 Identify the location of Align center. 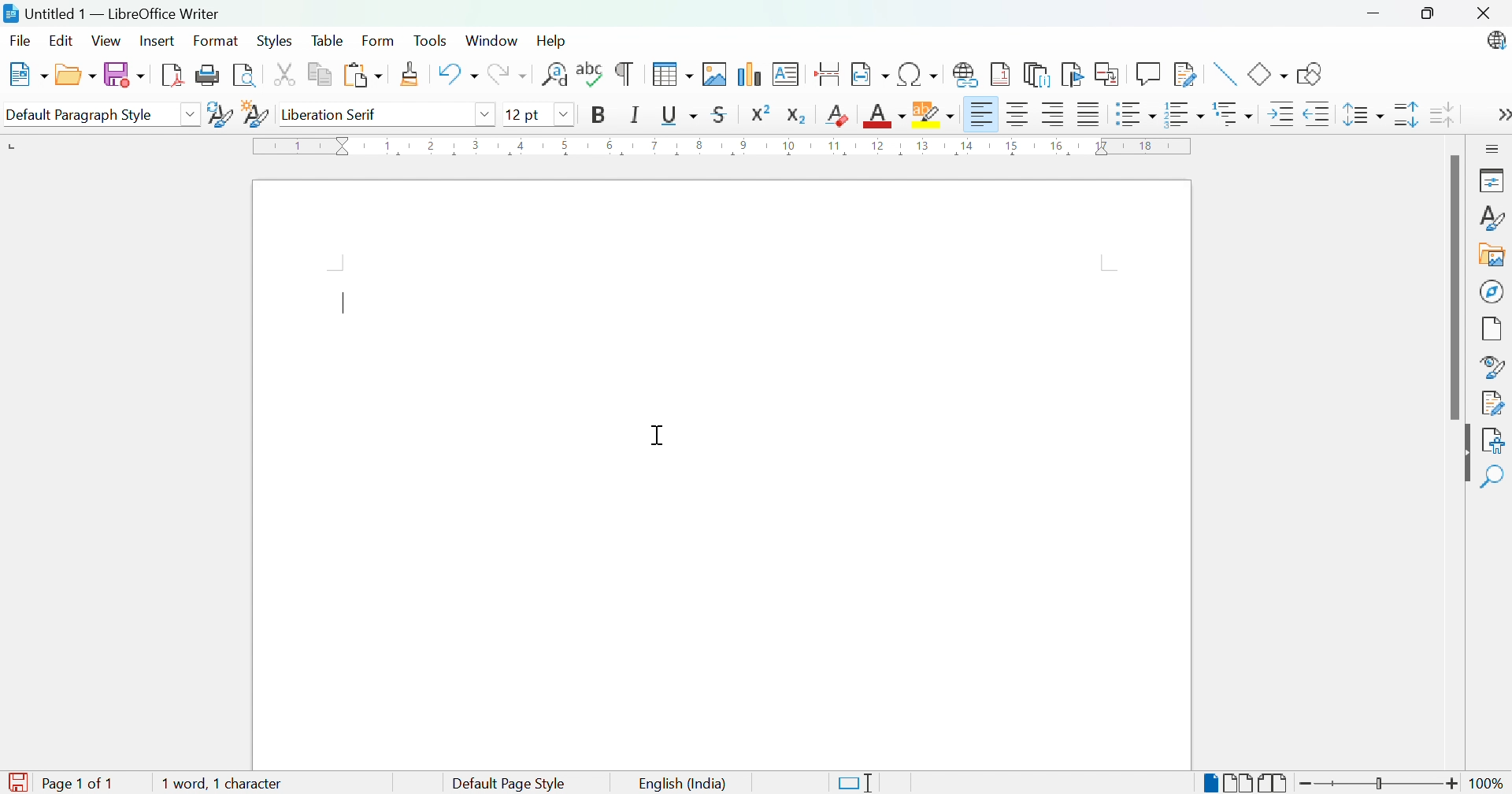
(1021, 117).